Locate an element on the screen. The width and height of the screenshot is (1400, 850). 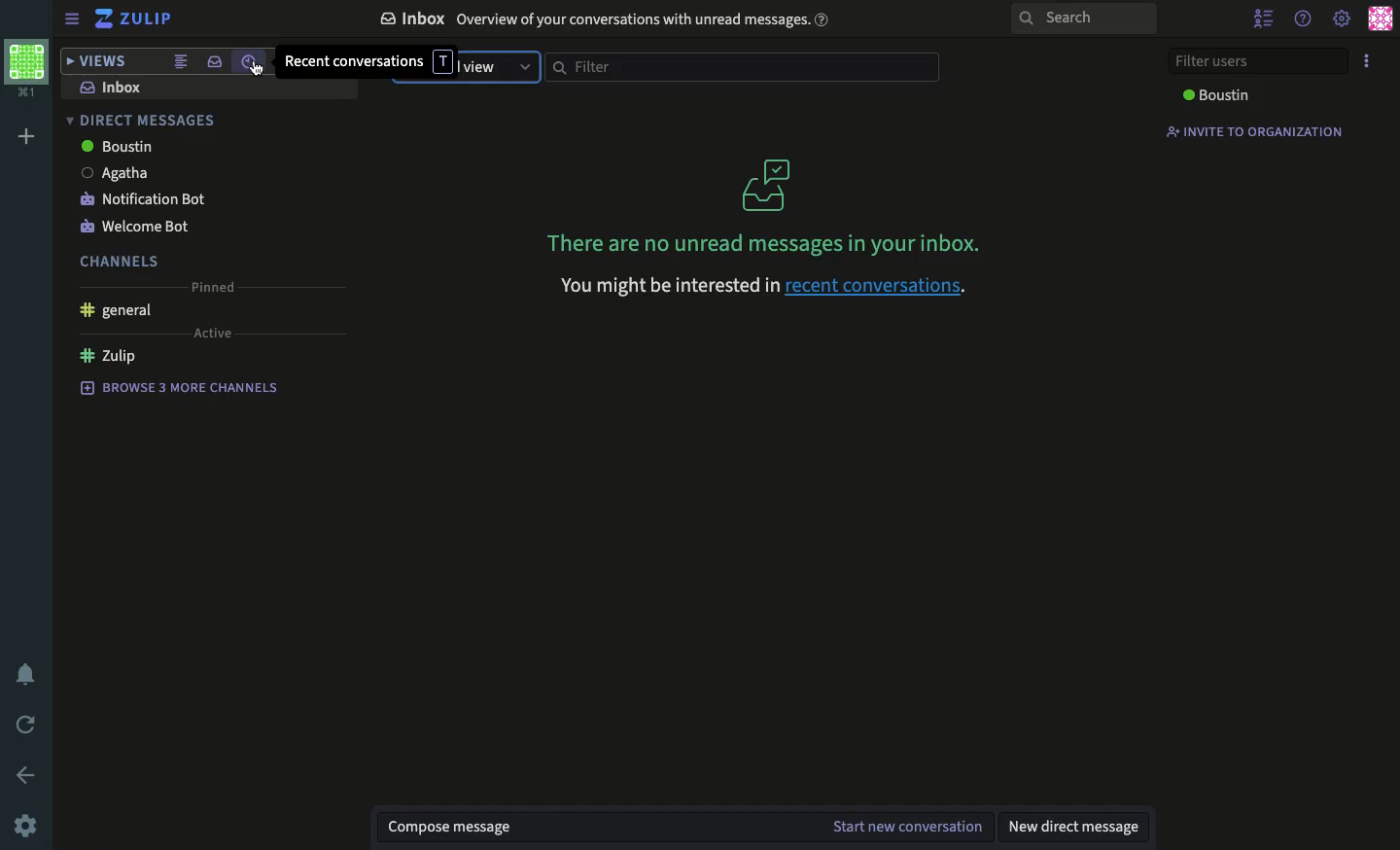
sidebar is located at coordinates (73, 18).